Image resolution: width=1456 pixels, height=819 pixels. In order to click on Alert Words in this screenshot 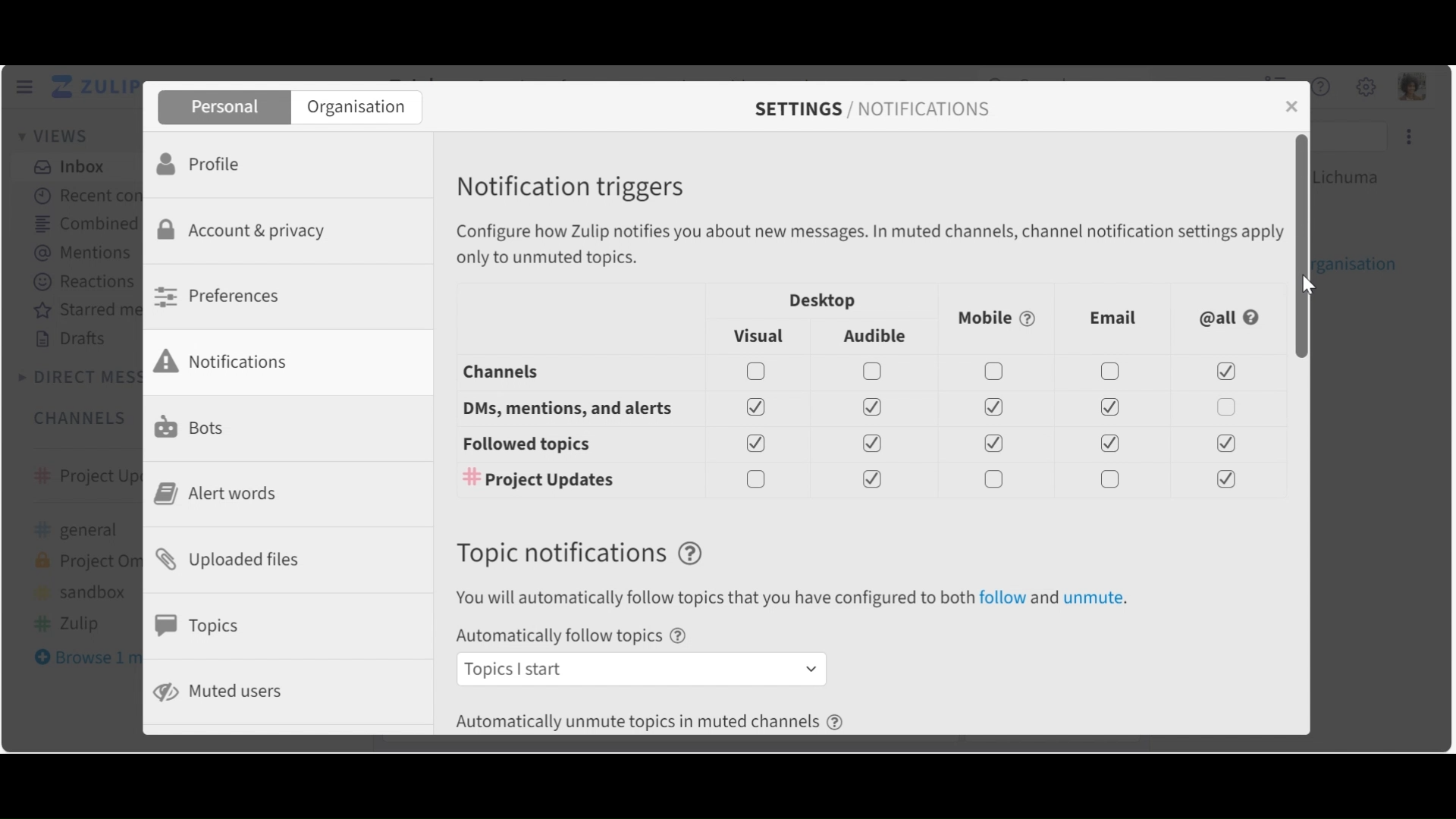, I will do `click(221, 494)`.